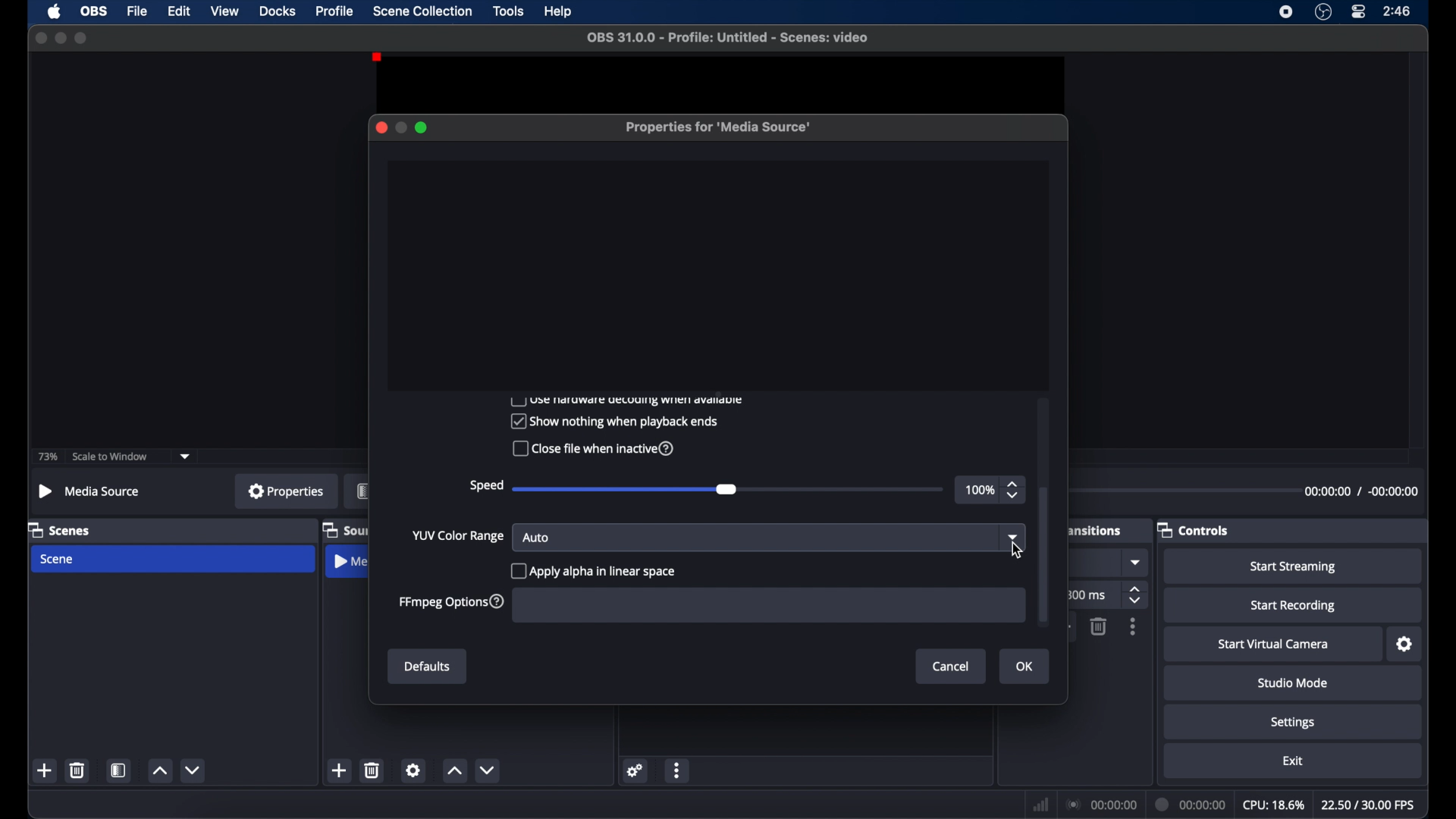 This screenshot has width=1456, height=819. What do you see at coordinates (60, 37) in the screenshot?
I see `minimize` at bounding box center [60, 37].